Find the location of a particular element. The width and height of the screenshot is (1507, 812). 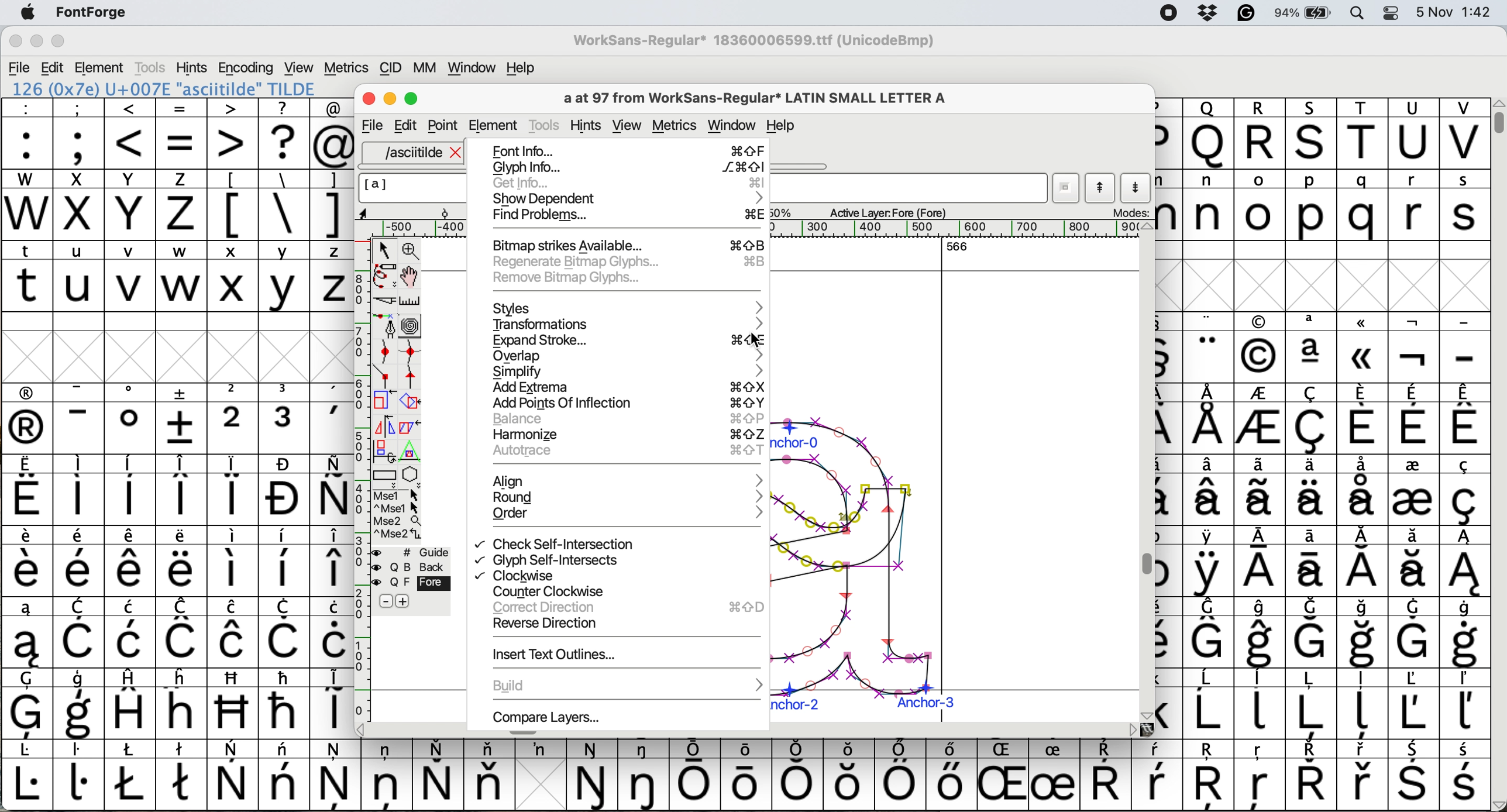

z is located at coordinates (181, 204).